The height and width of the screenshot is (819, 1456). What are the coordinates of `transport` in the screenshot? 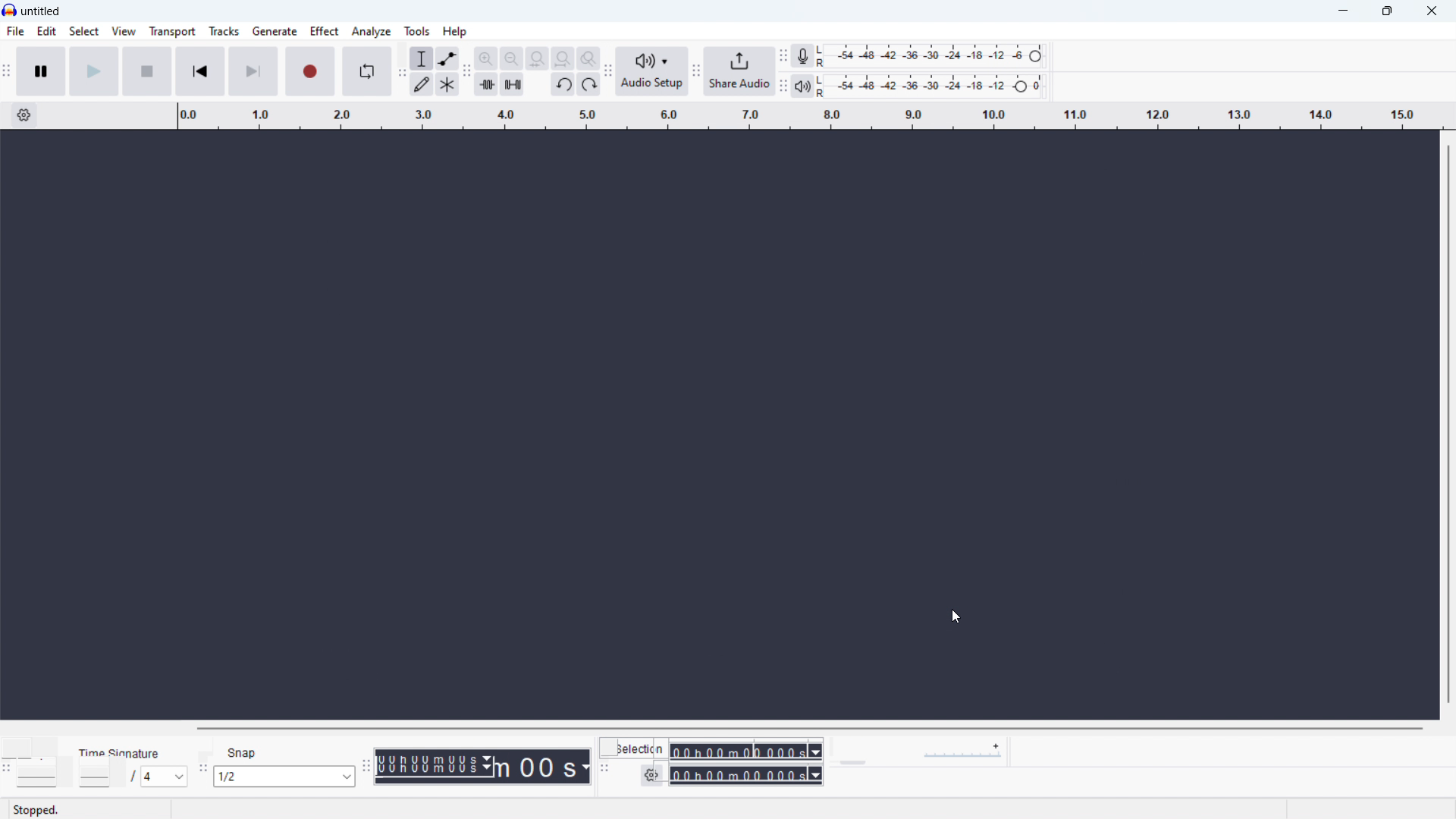 It's located at (173, 32).